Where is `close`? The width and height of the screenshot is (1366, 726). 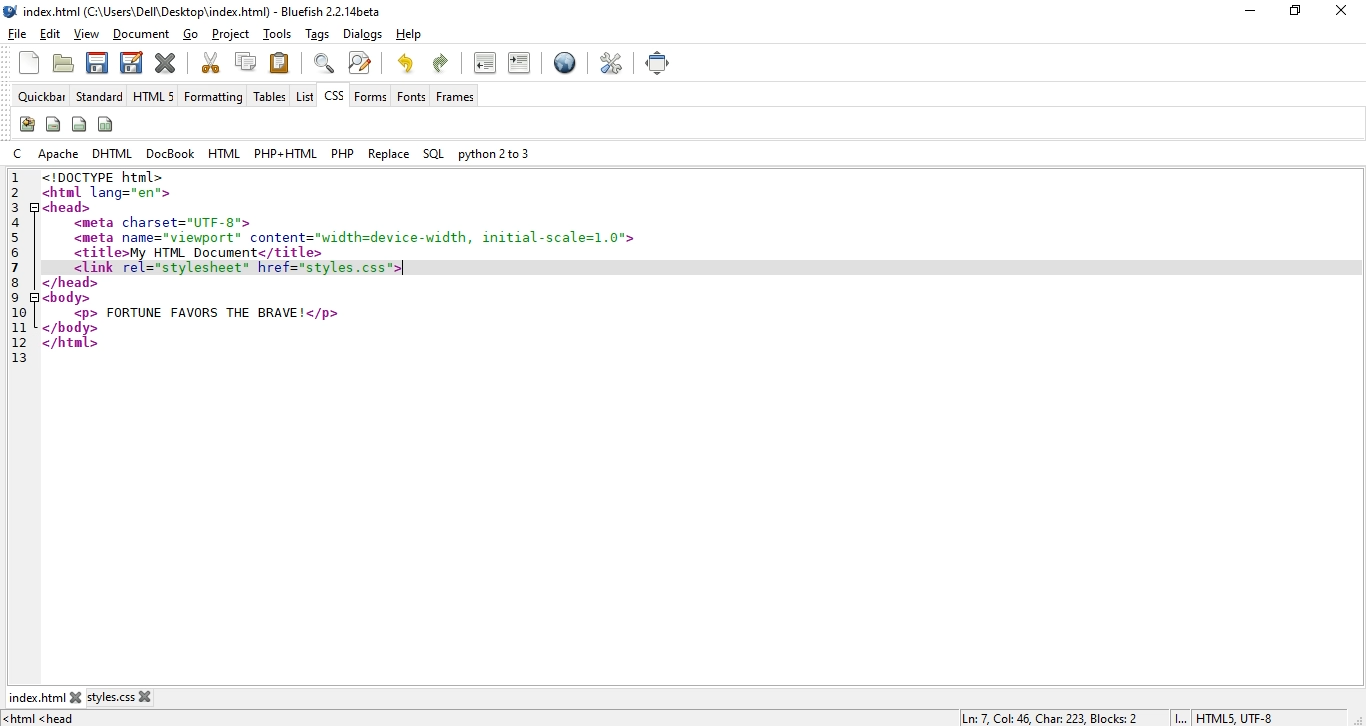 close is located at coordinates (1346, 9).